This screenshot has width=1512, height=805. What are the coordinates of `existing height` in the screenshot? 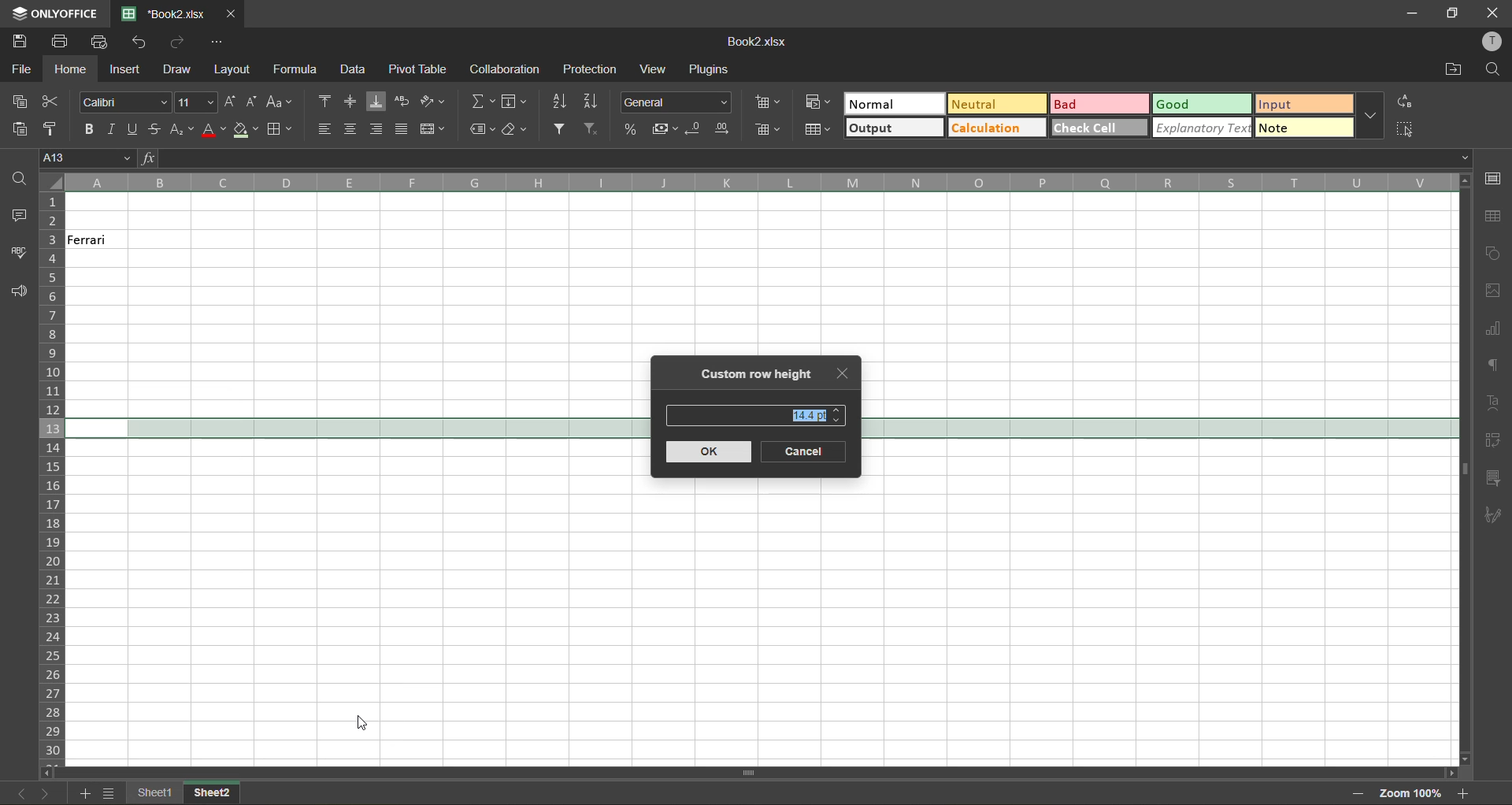 It's located at (815, 414).